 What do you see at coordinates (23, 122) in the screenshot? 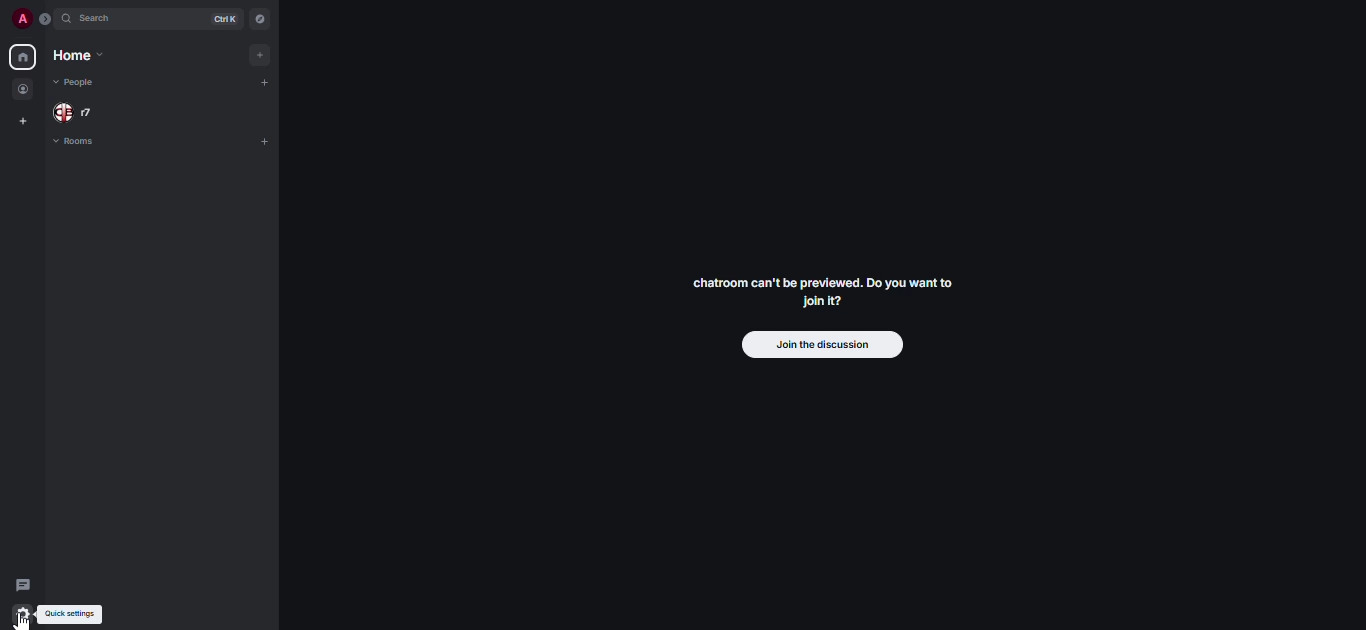
I see `create space` at bounding box center [23, 122].